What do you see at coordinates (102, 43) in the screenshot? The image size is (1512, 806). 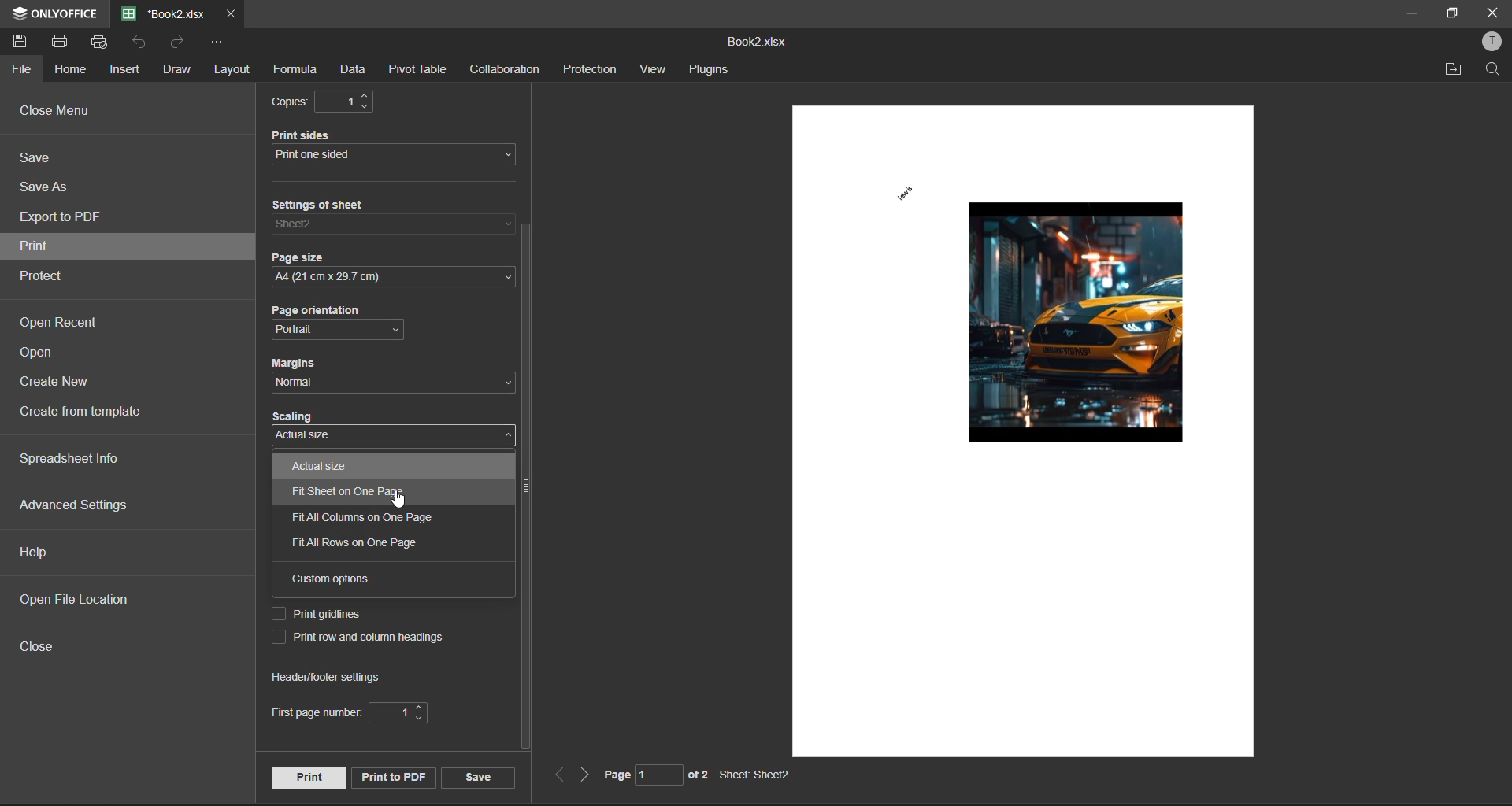 I see `quick print` at bounding box center [102, 43].